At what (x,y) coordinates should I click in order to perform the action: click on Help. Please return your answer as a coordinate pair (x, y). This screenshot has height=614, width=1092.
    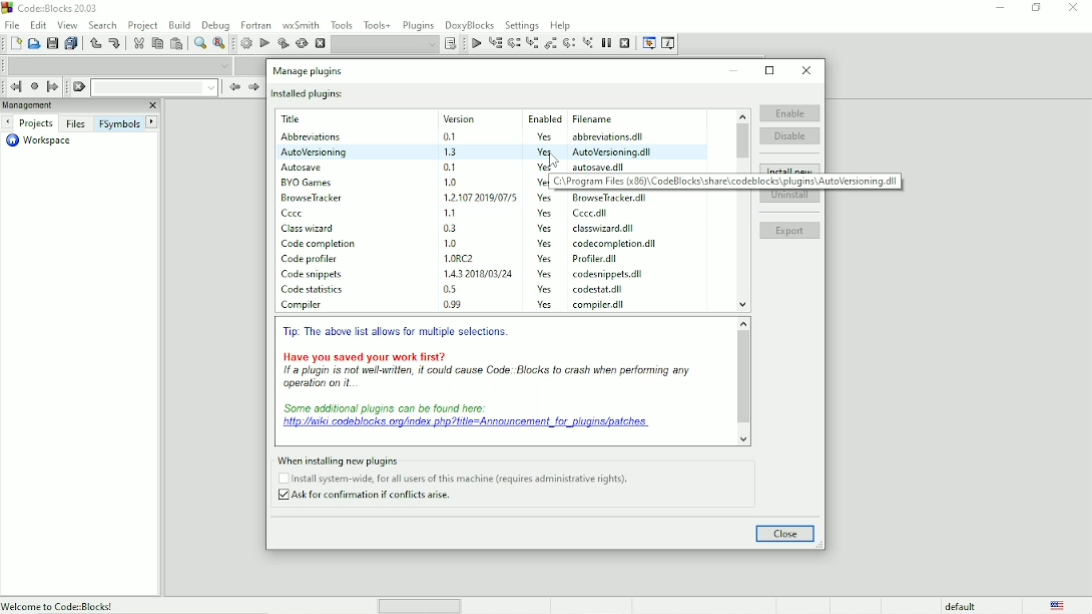
    Looking at the image, I should click on (561, 24).